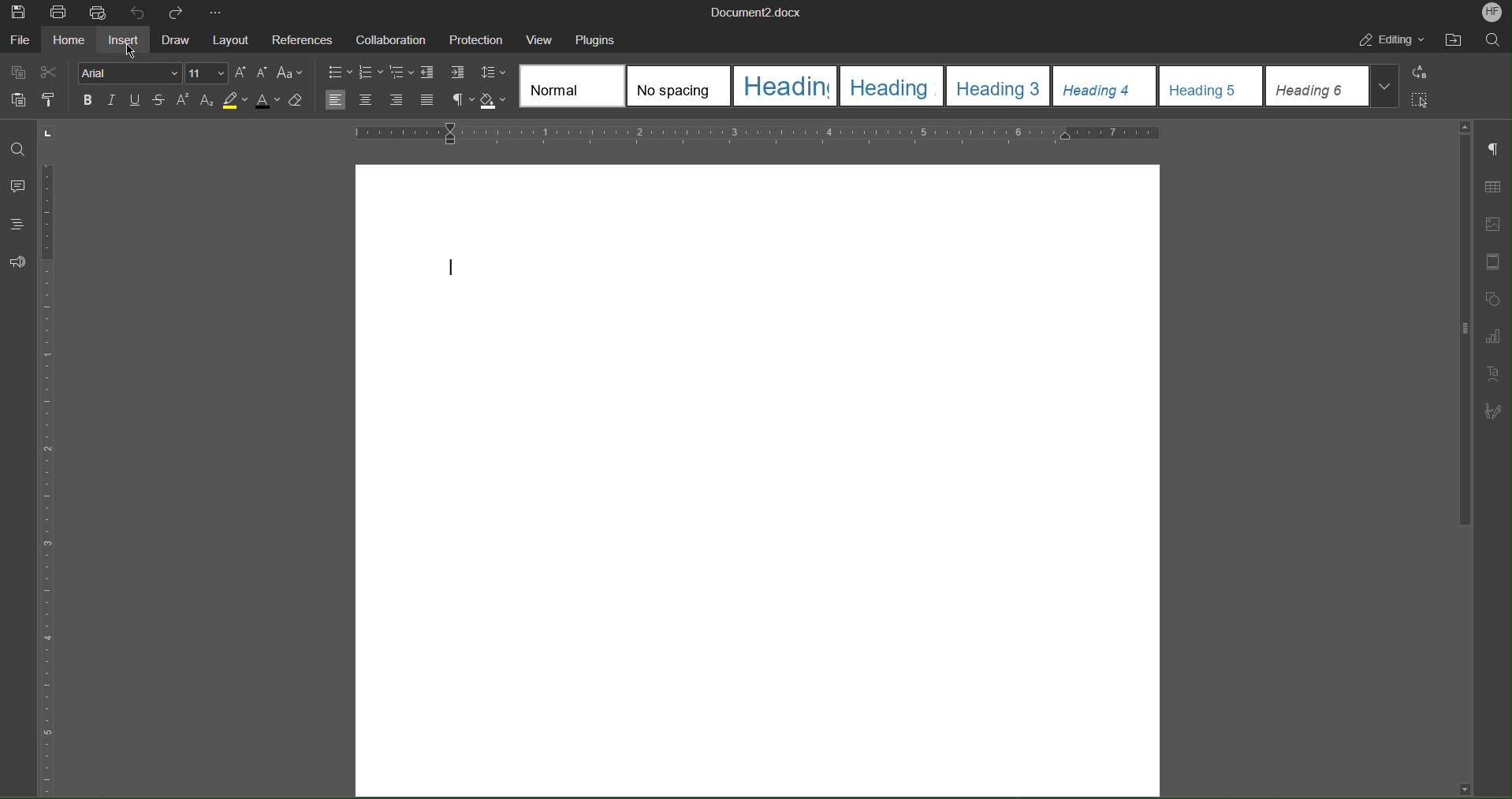 The height and width of the screenshot is (799, 1512). I want to click on Nested List, so click(400, 72).